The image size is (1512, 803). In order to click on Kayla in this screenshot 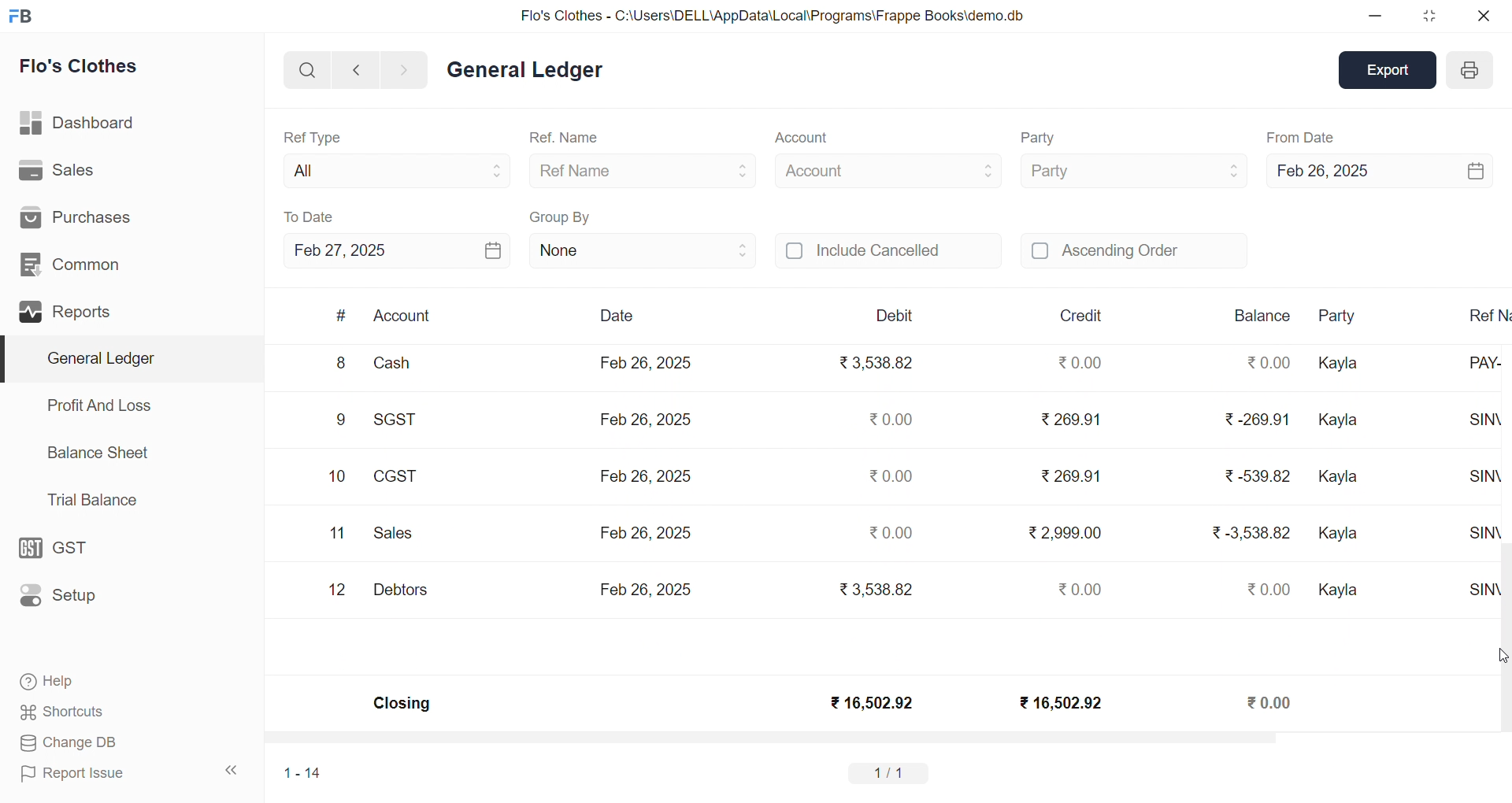, I will do `click(1342, 479)`.